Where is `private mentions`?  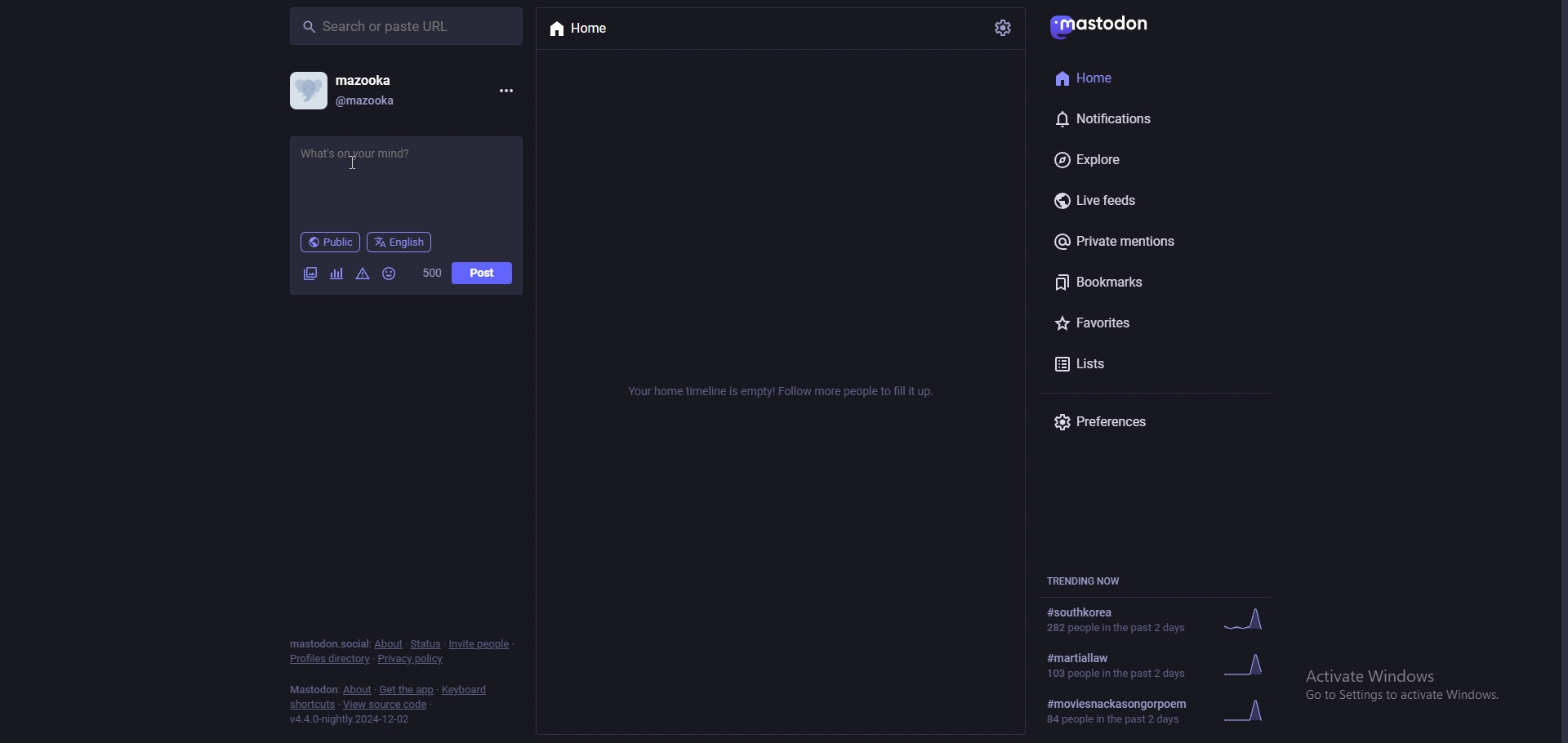
private mentions is located at coordinates (1140, 243).